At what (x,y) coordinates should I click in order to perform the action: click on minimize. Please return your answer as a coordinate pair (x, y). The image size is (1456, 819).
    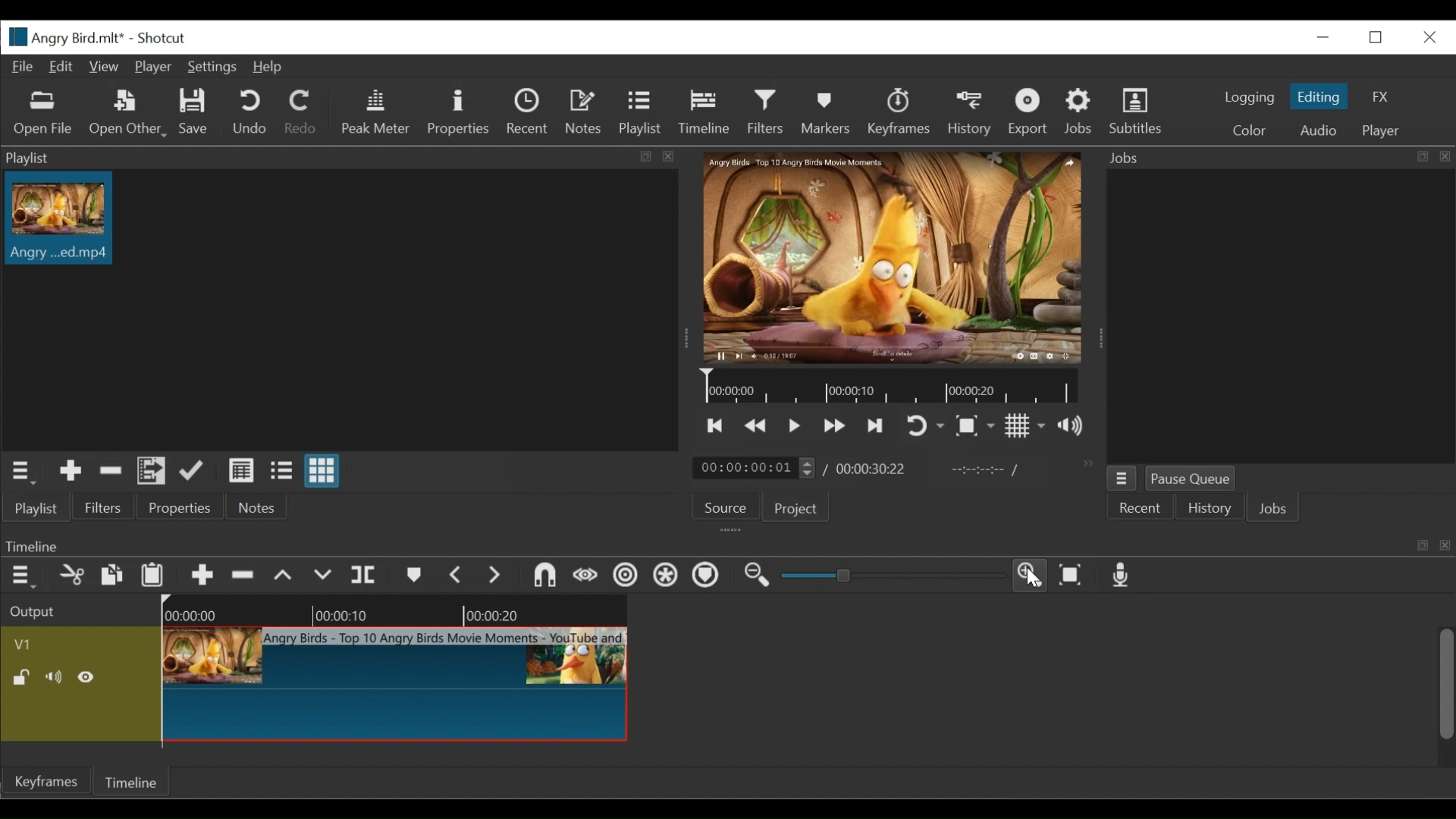
    Looking at the image, I should click on (1325, 36).